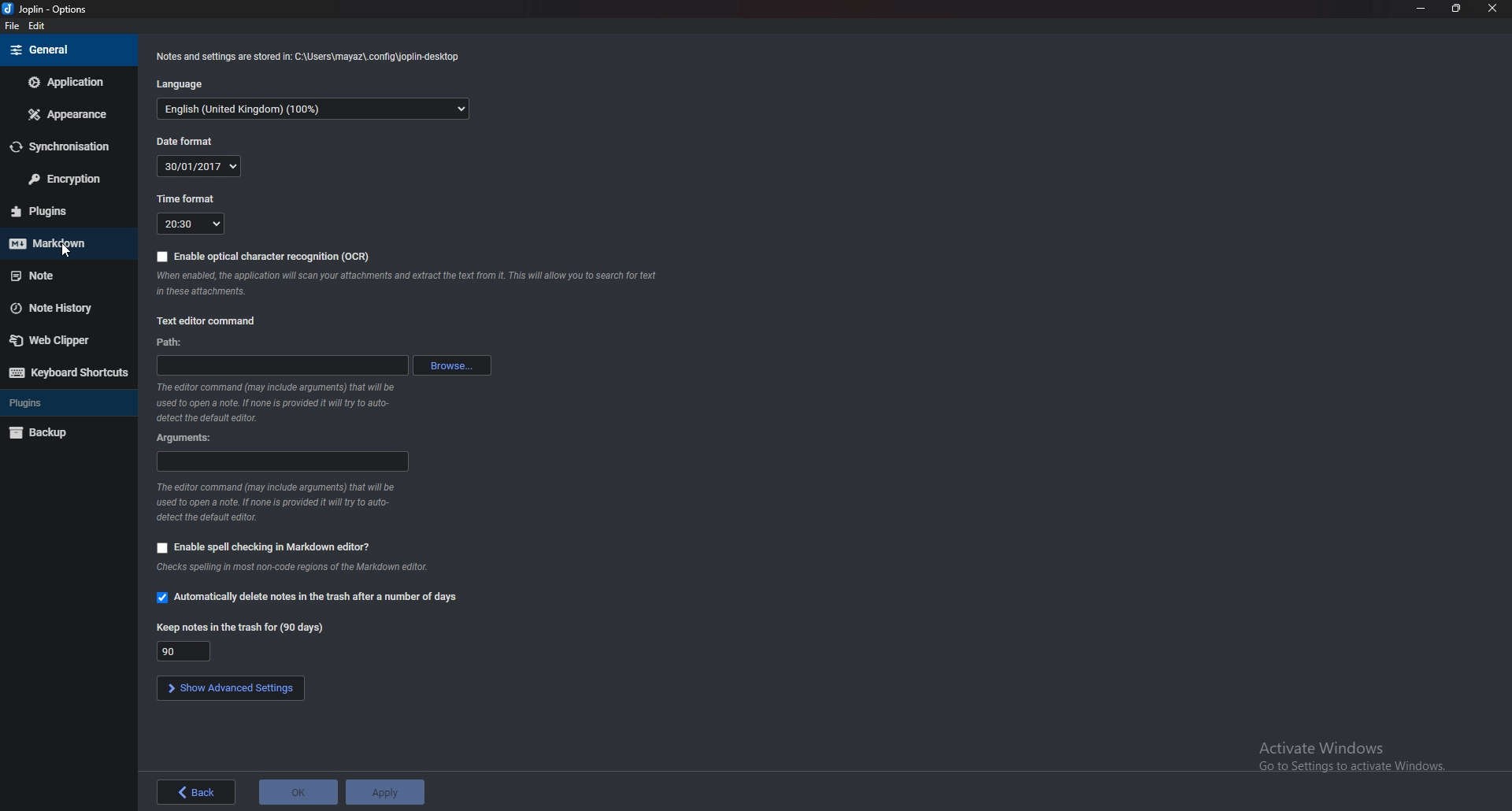 The height and width of the screenshot is (811, 1512). Describe the element at coordinates (67, 403) in the screenshot. I see `plugins` at that location.